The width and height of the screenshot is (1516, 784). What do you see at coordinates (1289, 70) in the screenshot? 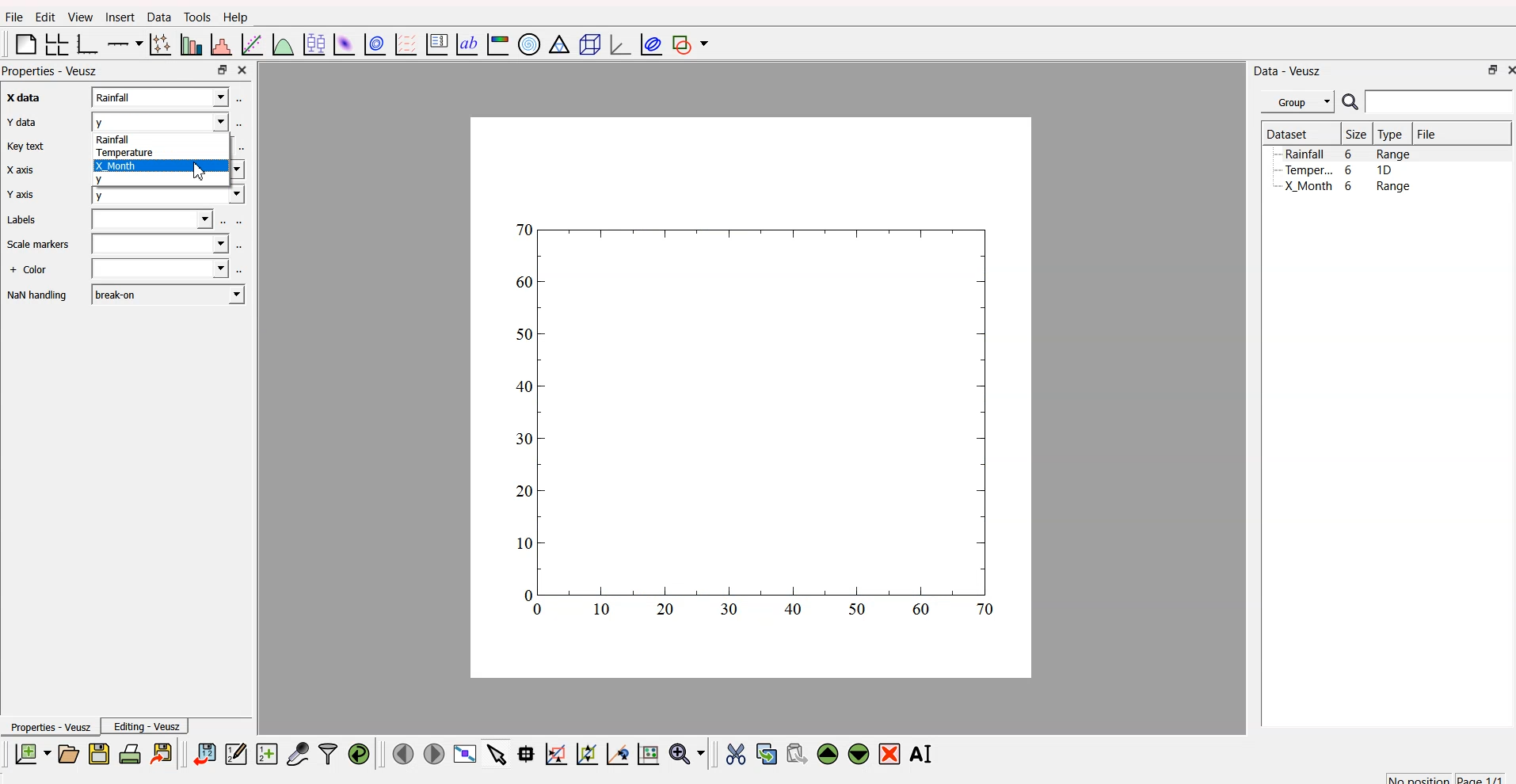
I see `Data - Veusz` at bounding box center [1289, 70].